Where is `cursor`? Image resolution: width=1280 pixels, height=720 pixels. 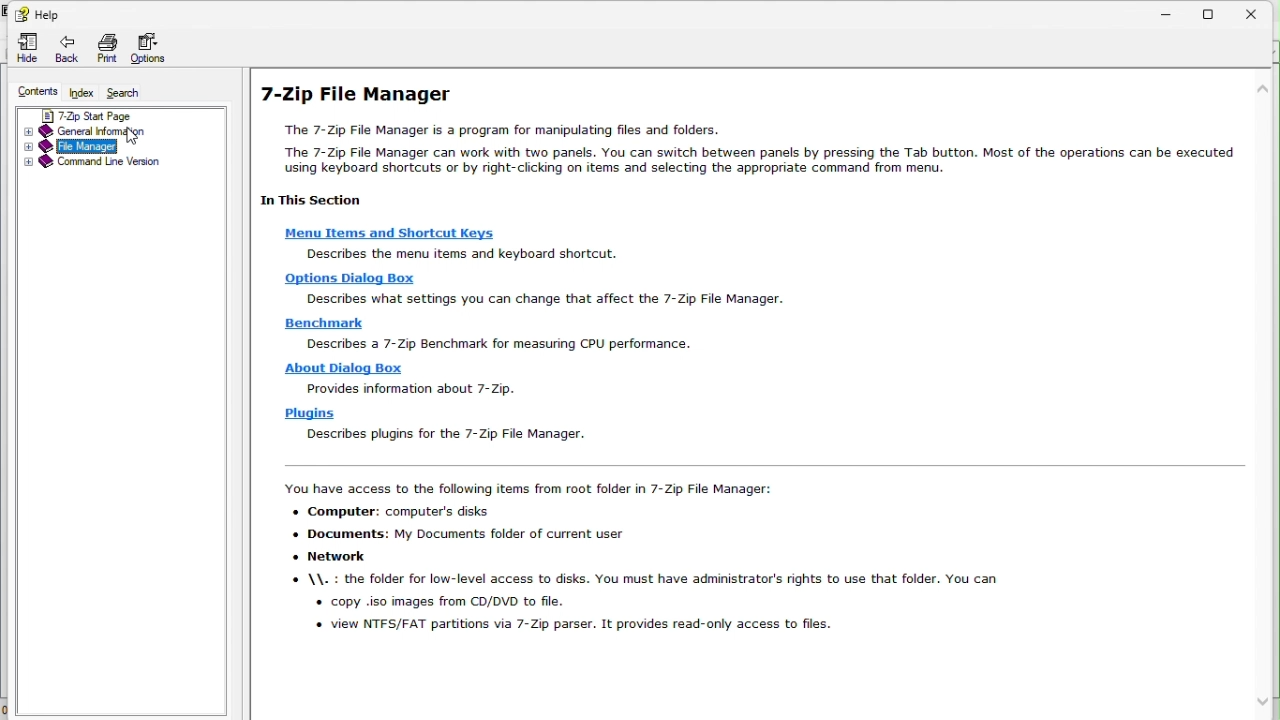
cursor is located at coordinates (130, 138).